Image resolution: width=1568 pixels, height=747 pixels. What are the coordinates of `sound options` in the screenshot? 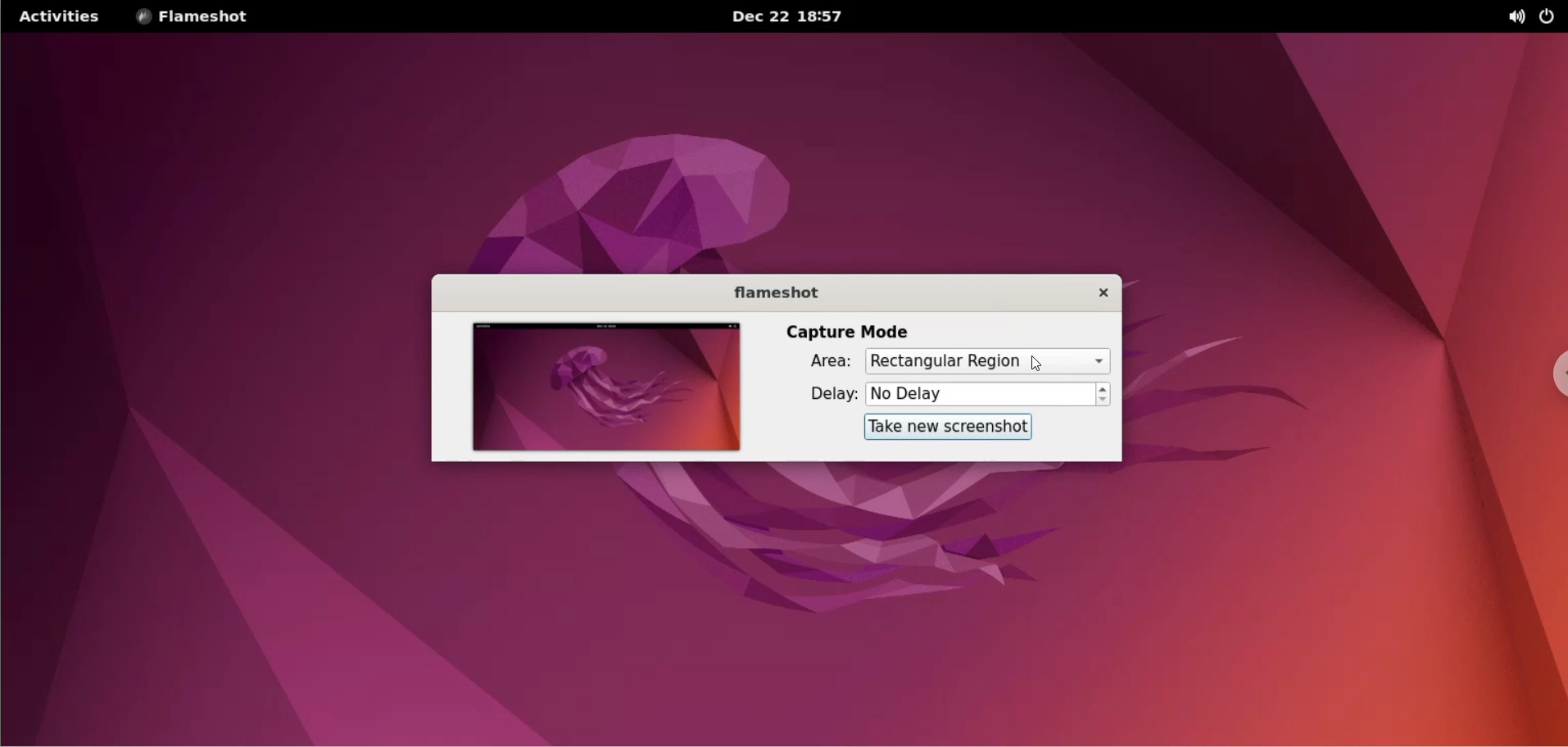 It's located at (1519, 16).